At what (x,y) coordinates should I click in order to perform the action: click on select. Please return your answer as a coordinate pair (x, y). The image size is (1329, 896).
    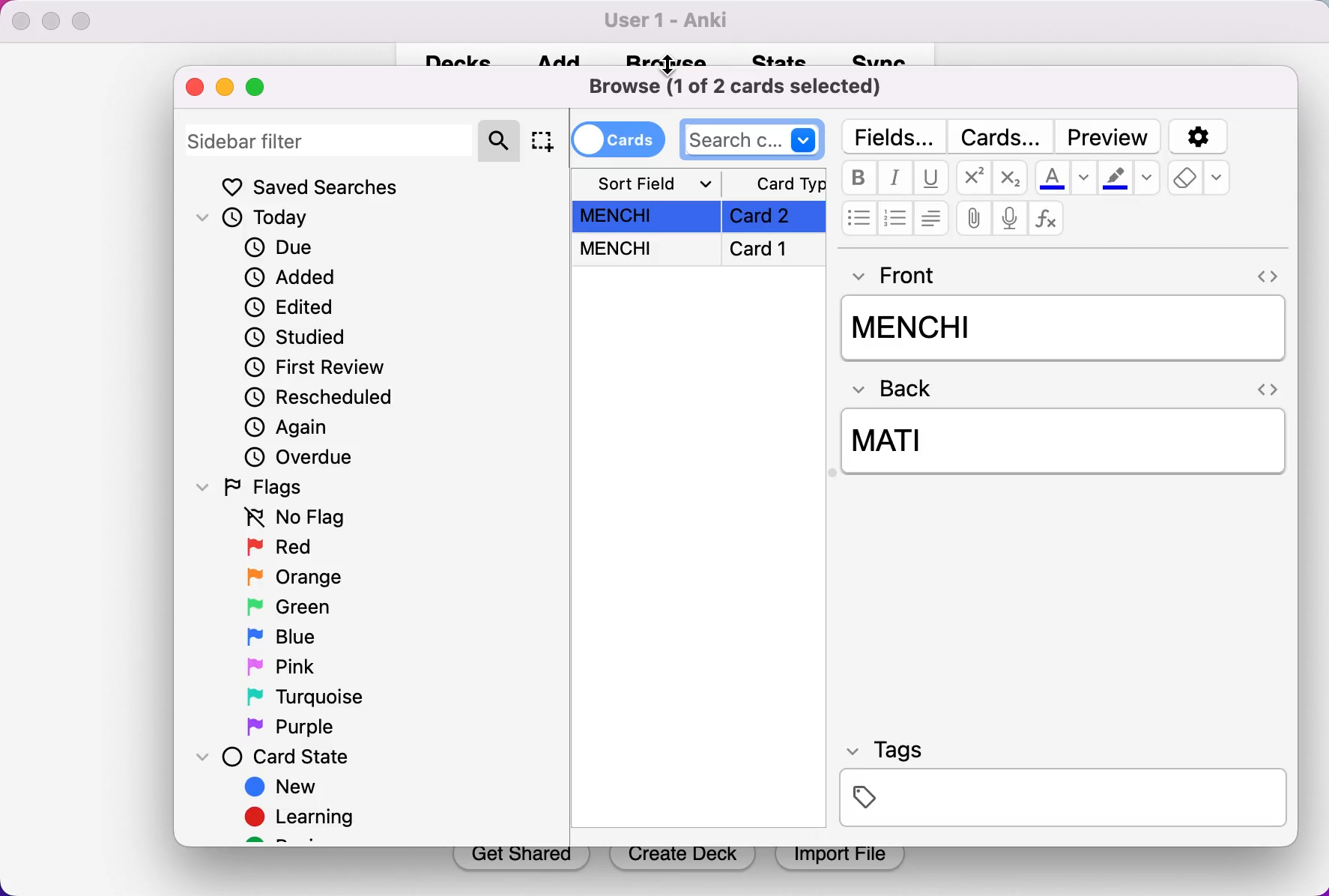
    Looking at the image, I should click on (544, 141).